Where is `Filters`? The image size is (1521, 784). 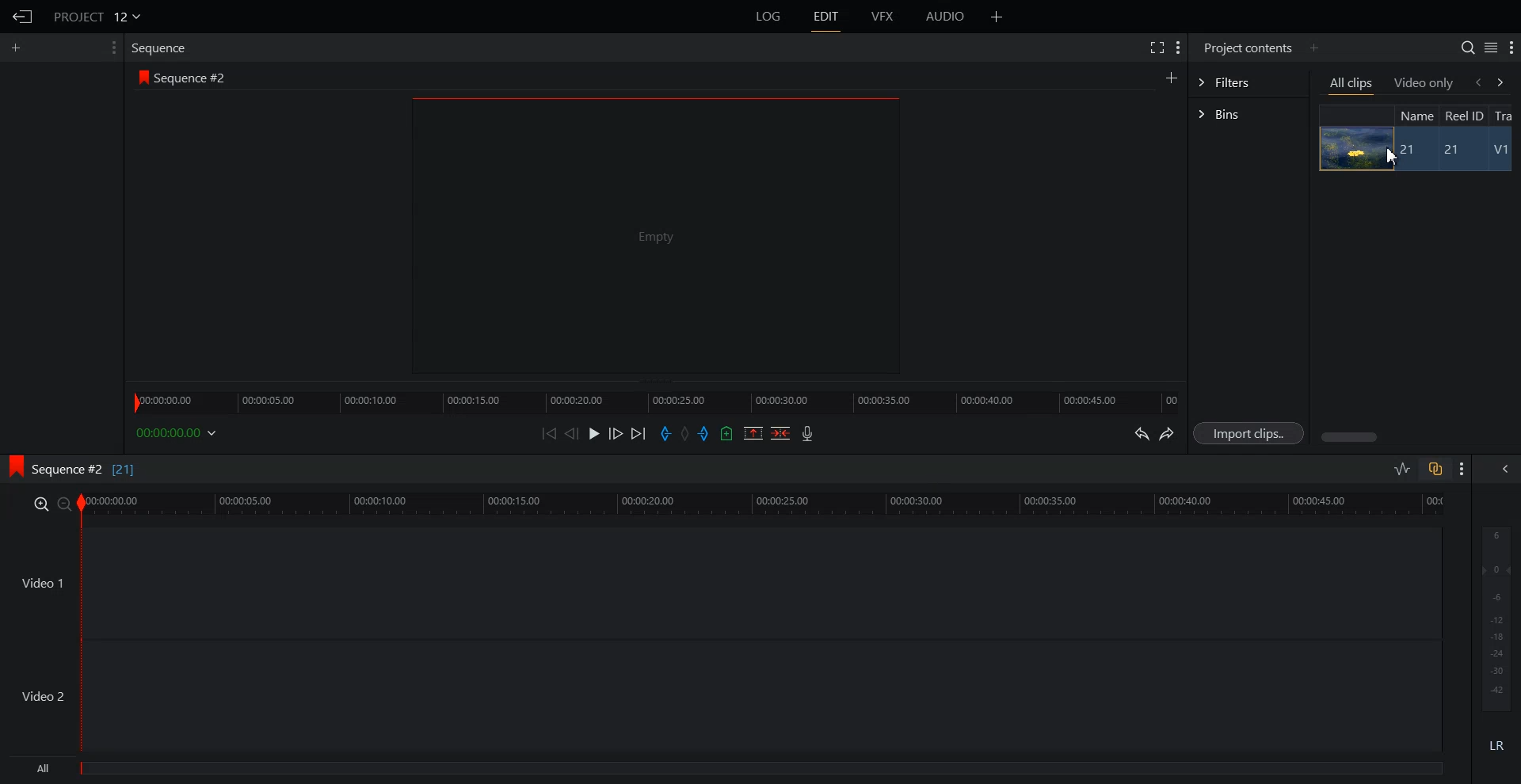
Filters is located at coordinates (1248, 81).